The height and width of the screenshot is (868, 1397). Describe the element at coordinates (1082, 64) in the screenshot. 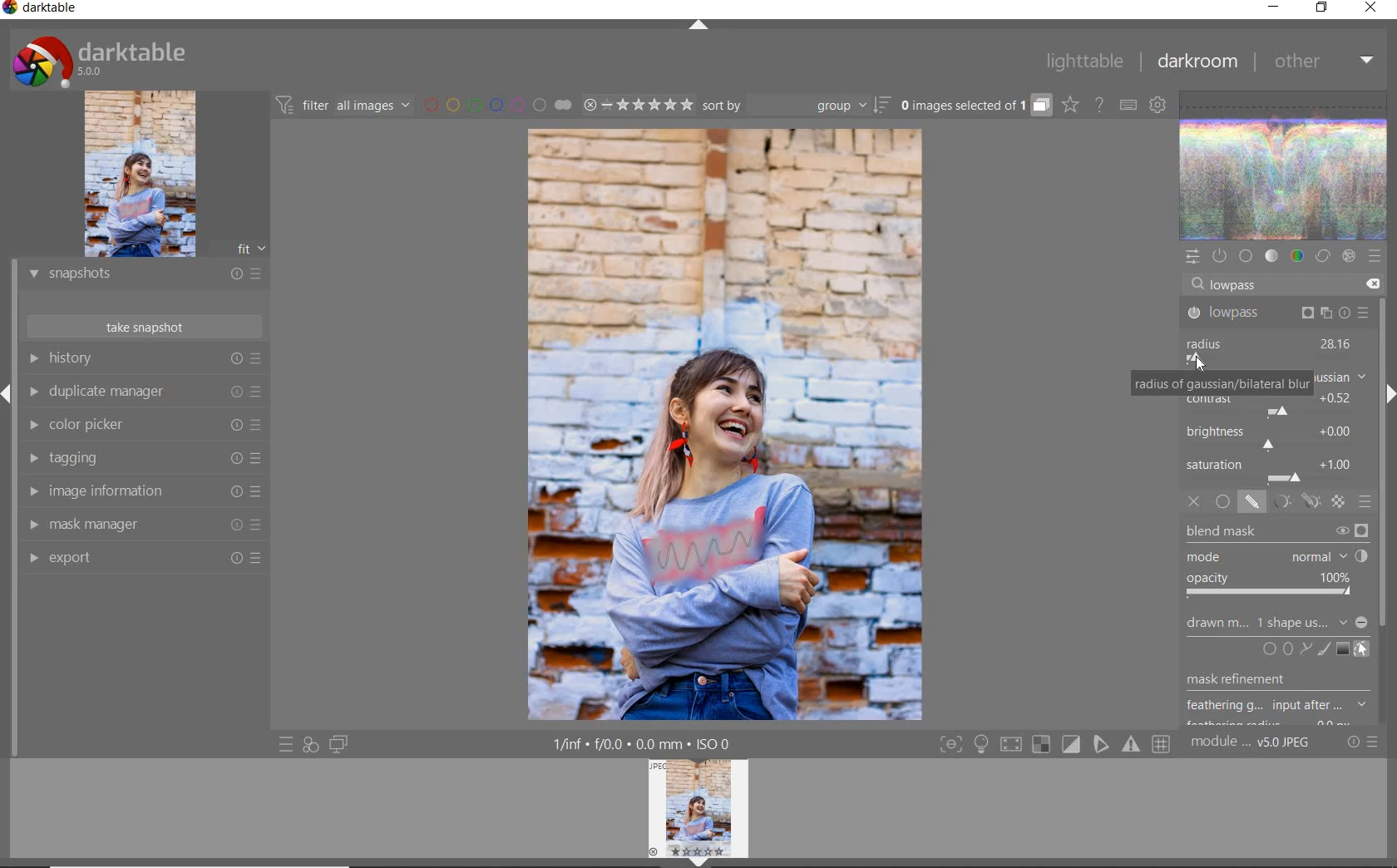

I see `lighttable` at that location.